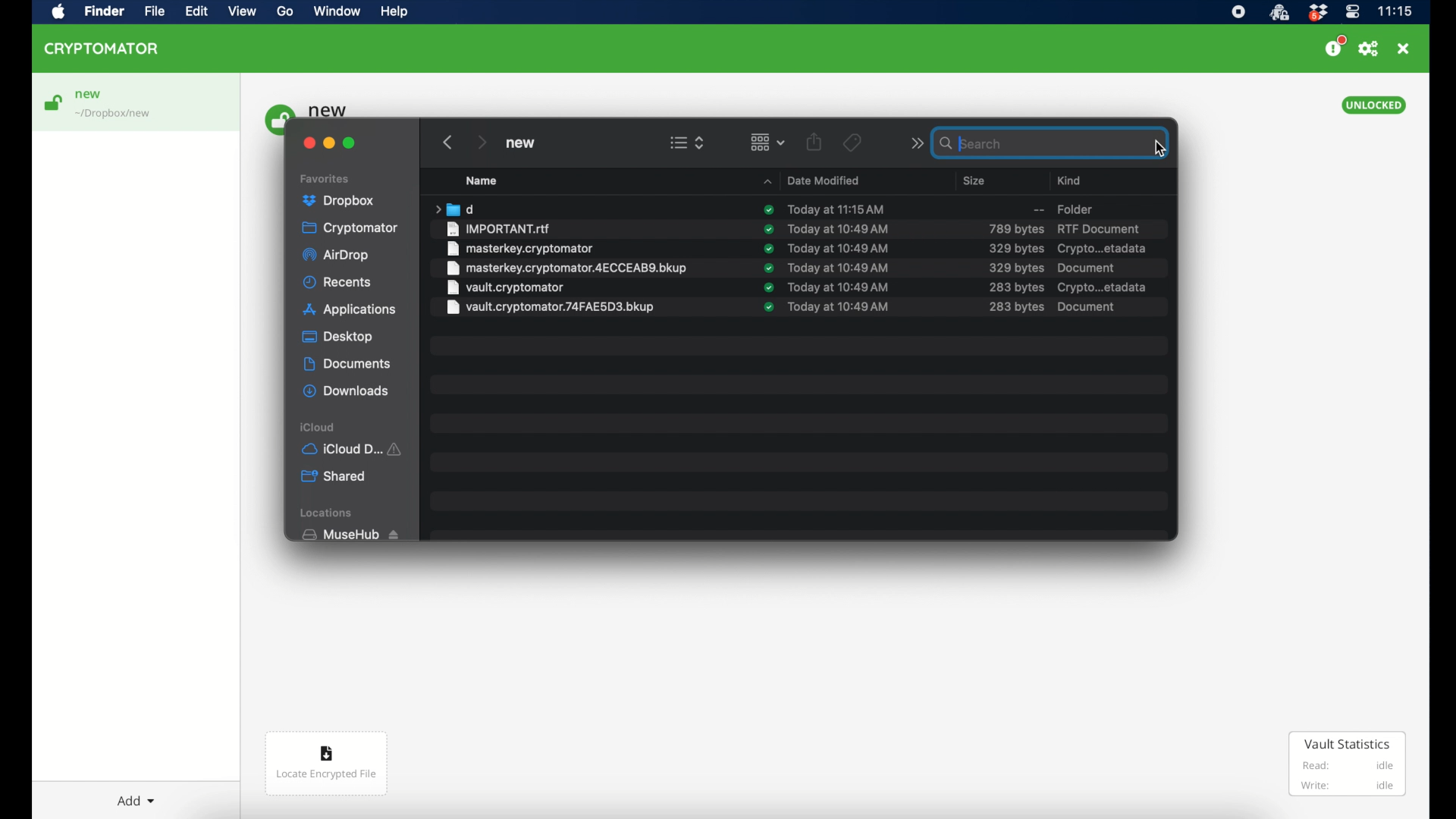  Describe the element at coordinates (568, 268) in the screenshot. I see `file` at that location.